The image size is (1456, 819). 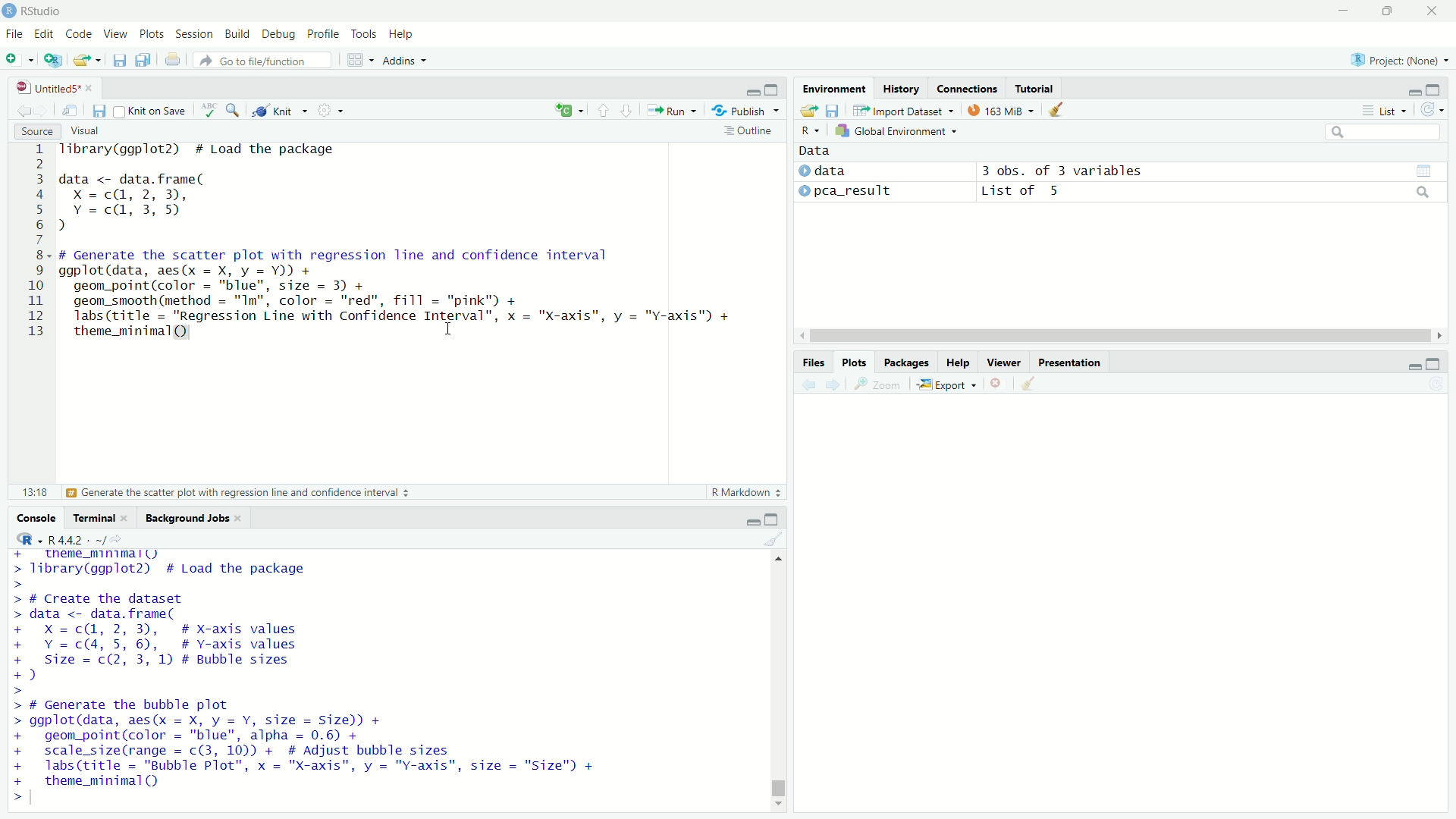 What do you see at coordinates (902, 87) in the screenshot?
I see `History` at bounding box center [902, 87].